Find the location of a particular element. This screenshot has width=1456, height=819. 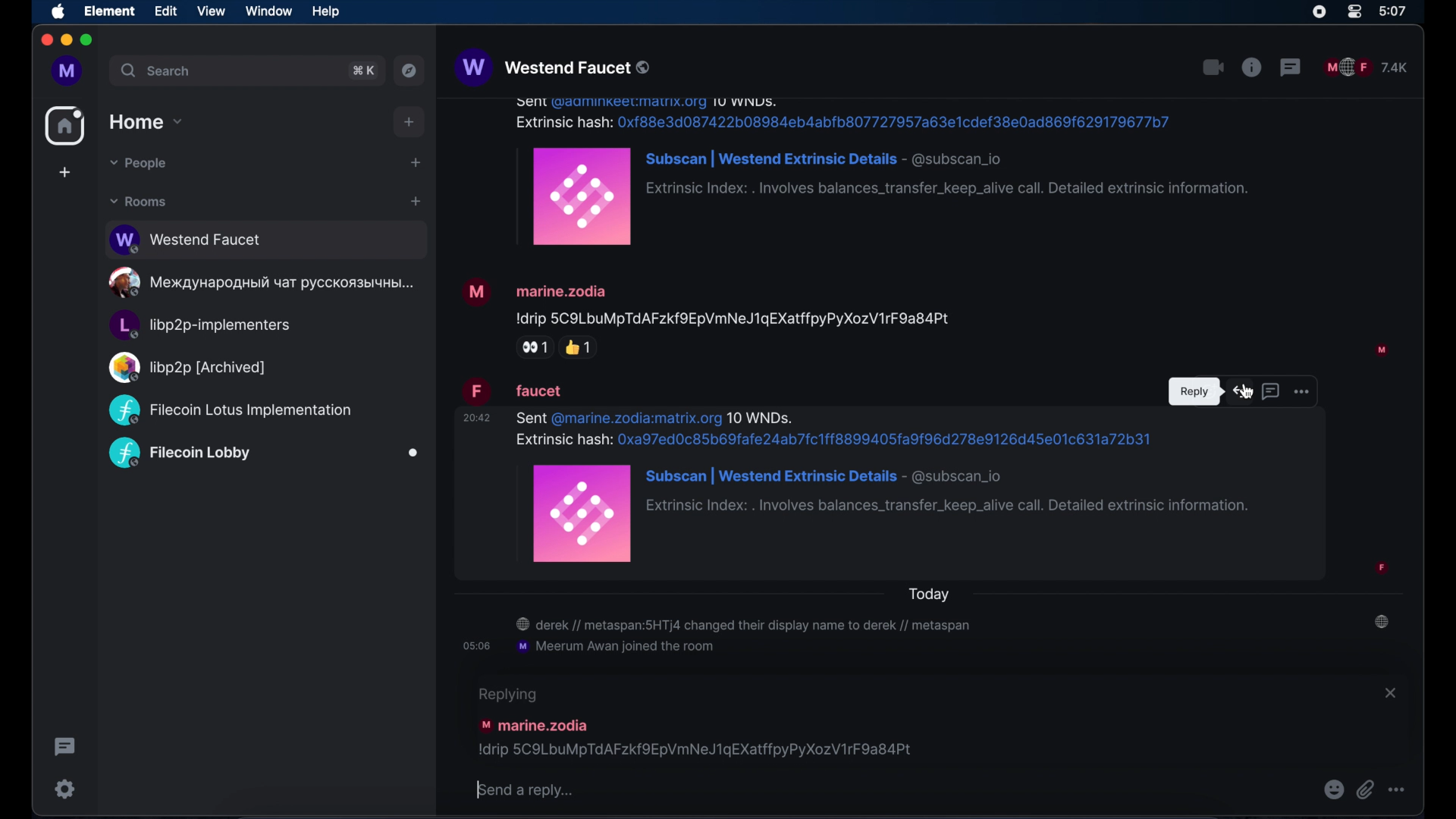

public room is located at coordinates (200, 326).